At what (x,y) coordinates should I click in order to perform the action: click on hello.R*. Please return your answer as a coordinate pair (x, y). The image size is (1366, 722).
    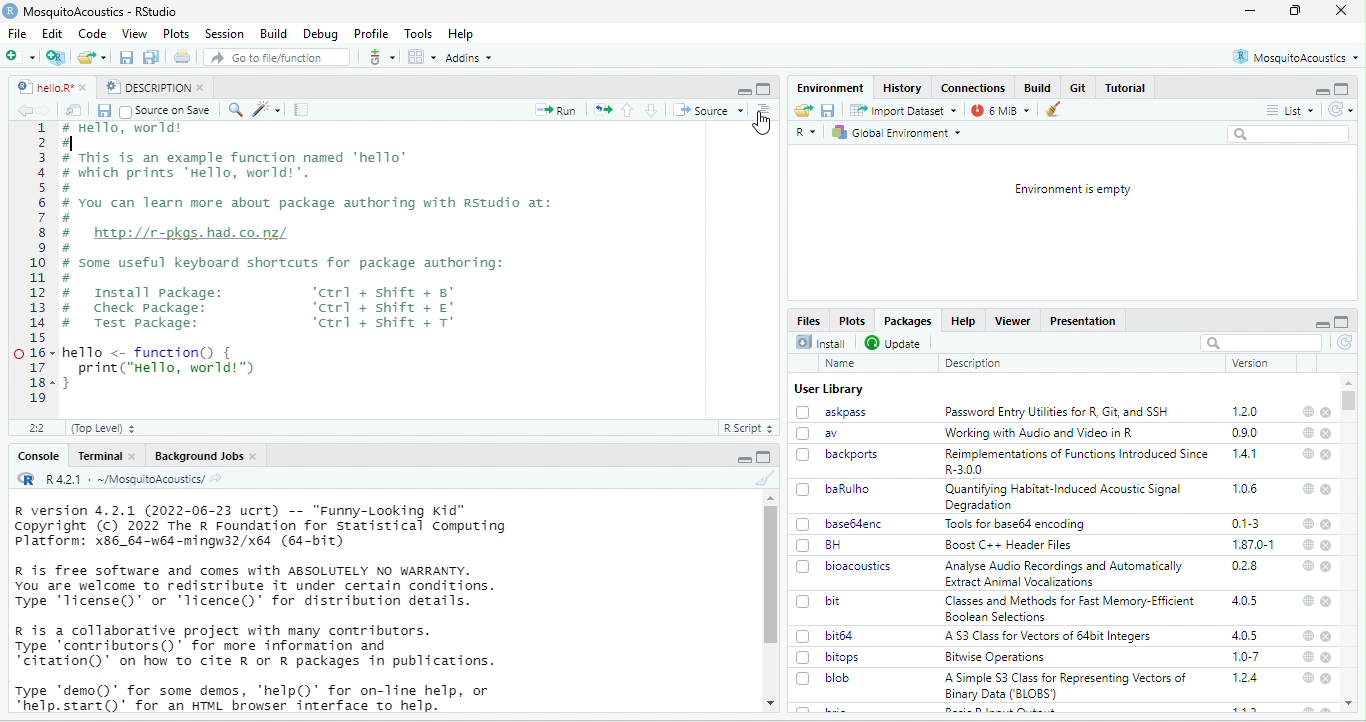
    Looking at the image, I should click on (51, 87).